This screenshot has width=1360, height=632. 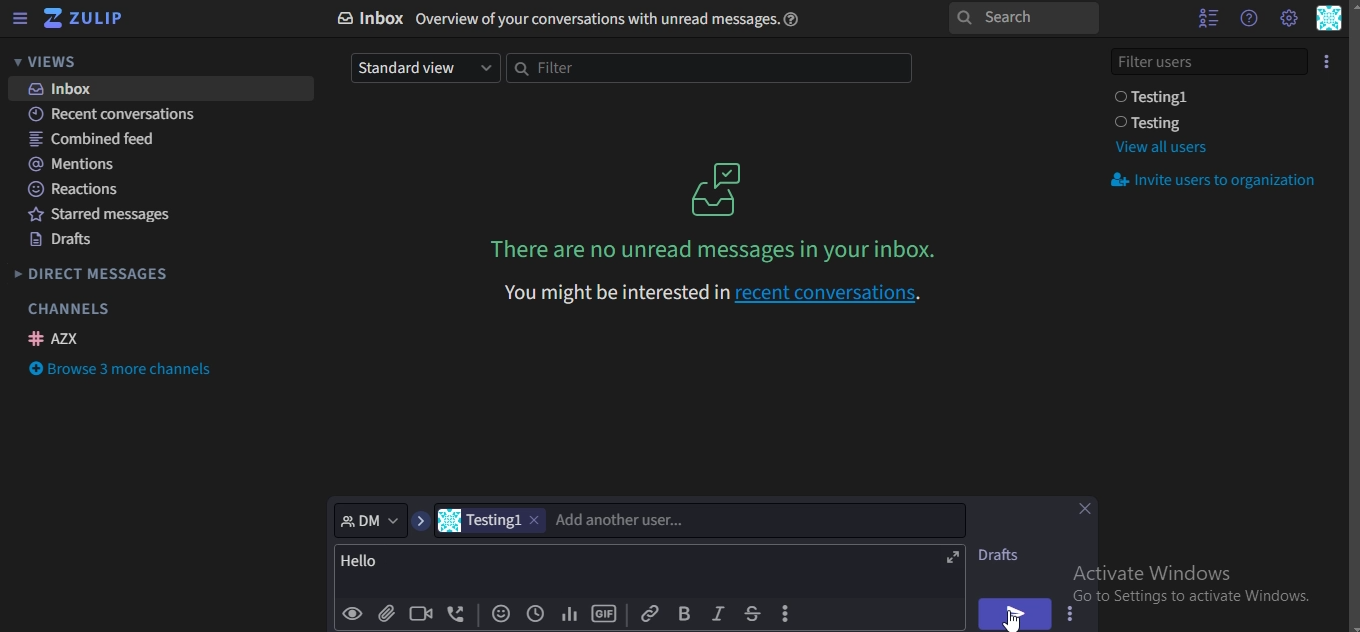 I want to click on help menu, so click(x=1248, y=18).